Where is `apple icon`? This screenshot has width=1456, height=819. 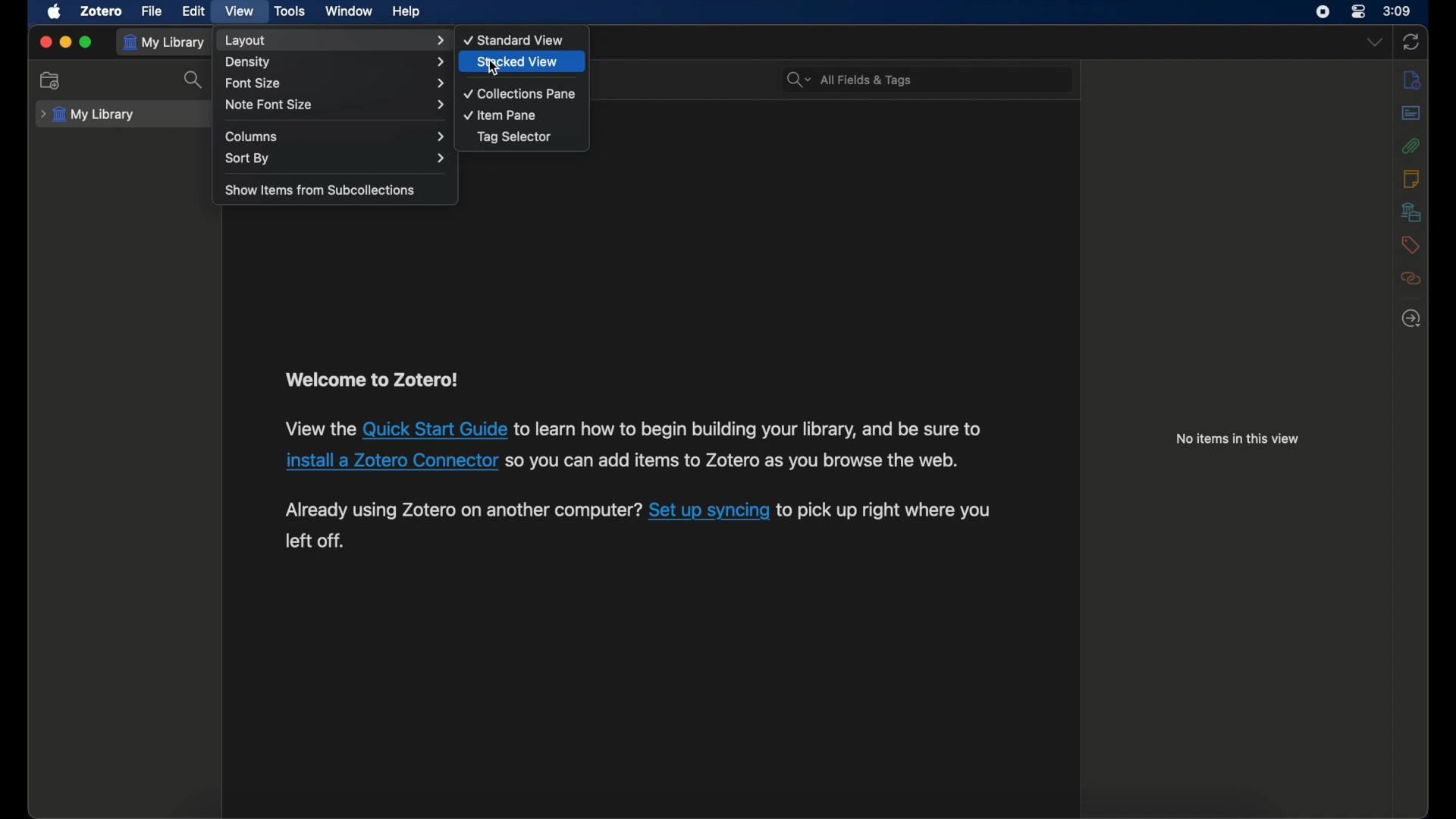
apple icon is located at coordinates (56, 12).